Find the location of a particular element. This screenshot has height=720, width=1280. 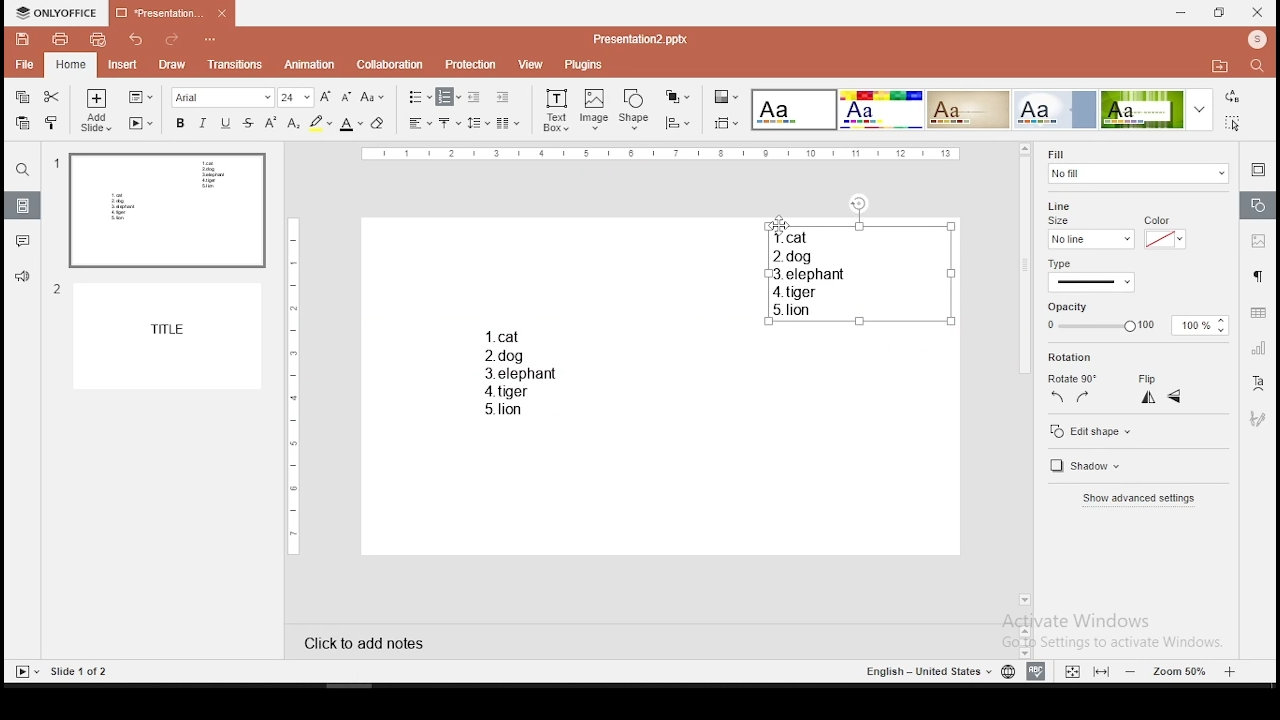

zoom level is located at coordinates (1178, 672).